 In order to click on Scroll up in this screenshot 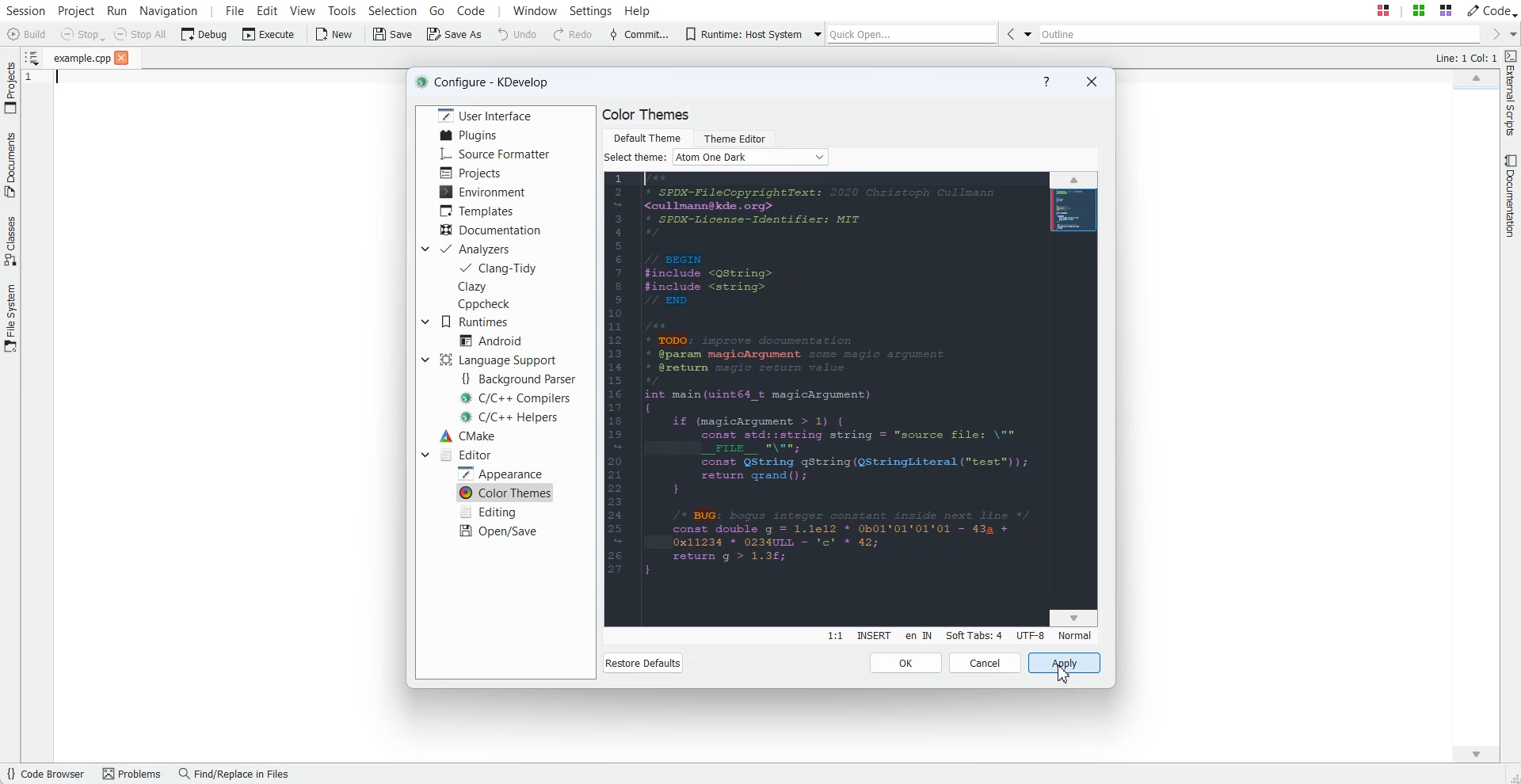, I will do `click(1475, 76)`.